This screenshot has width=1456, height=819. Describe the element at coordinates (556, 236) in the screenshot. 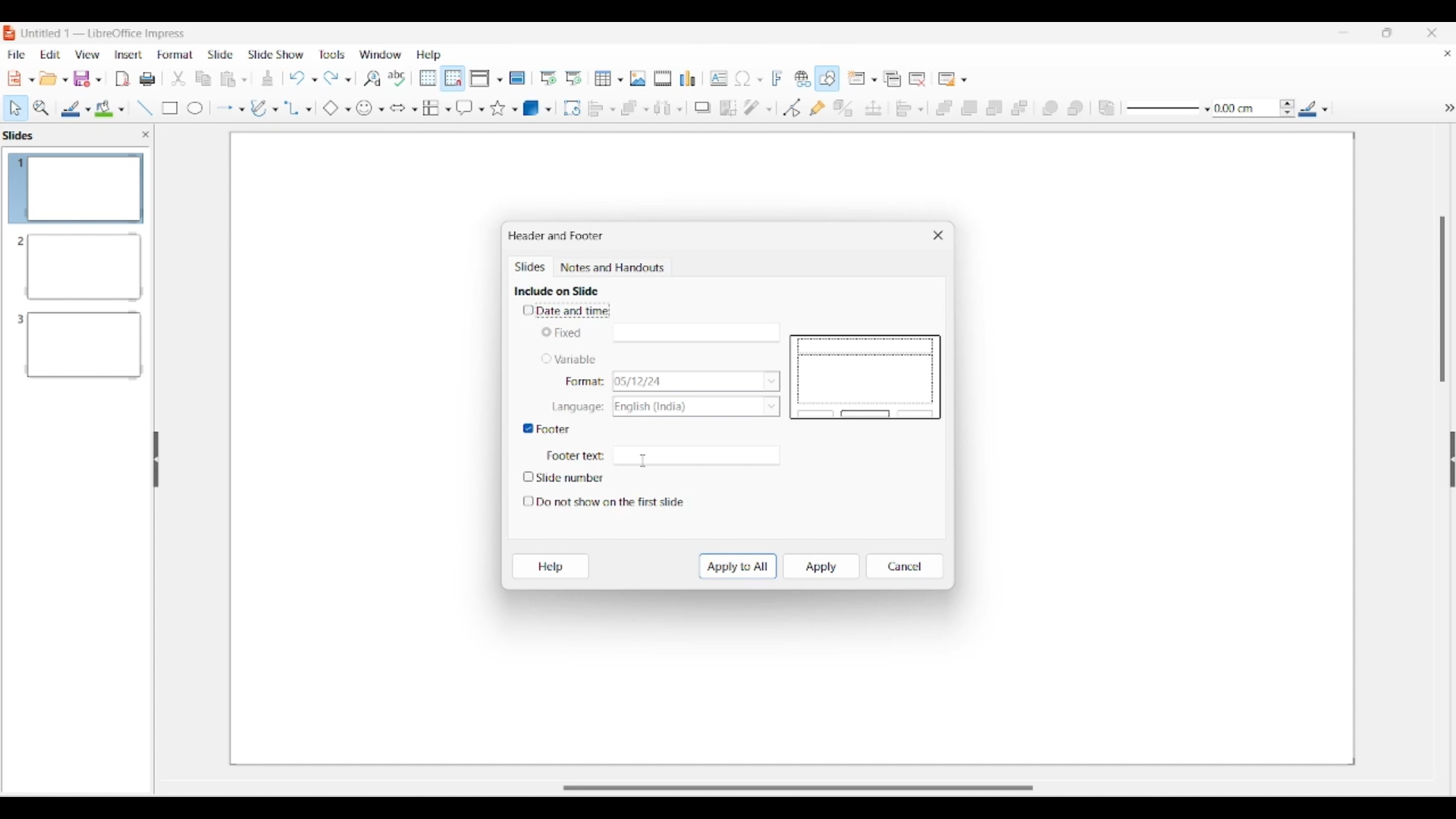

I see `Window title` at that location.